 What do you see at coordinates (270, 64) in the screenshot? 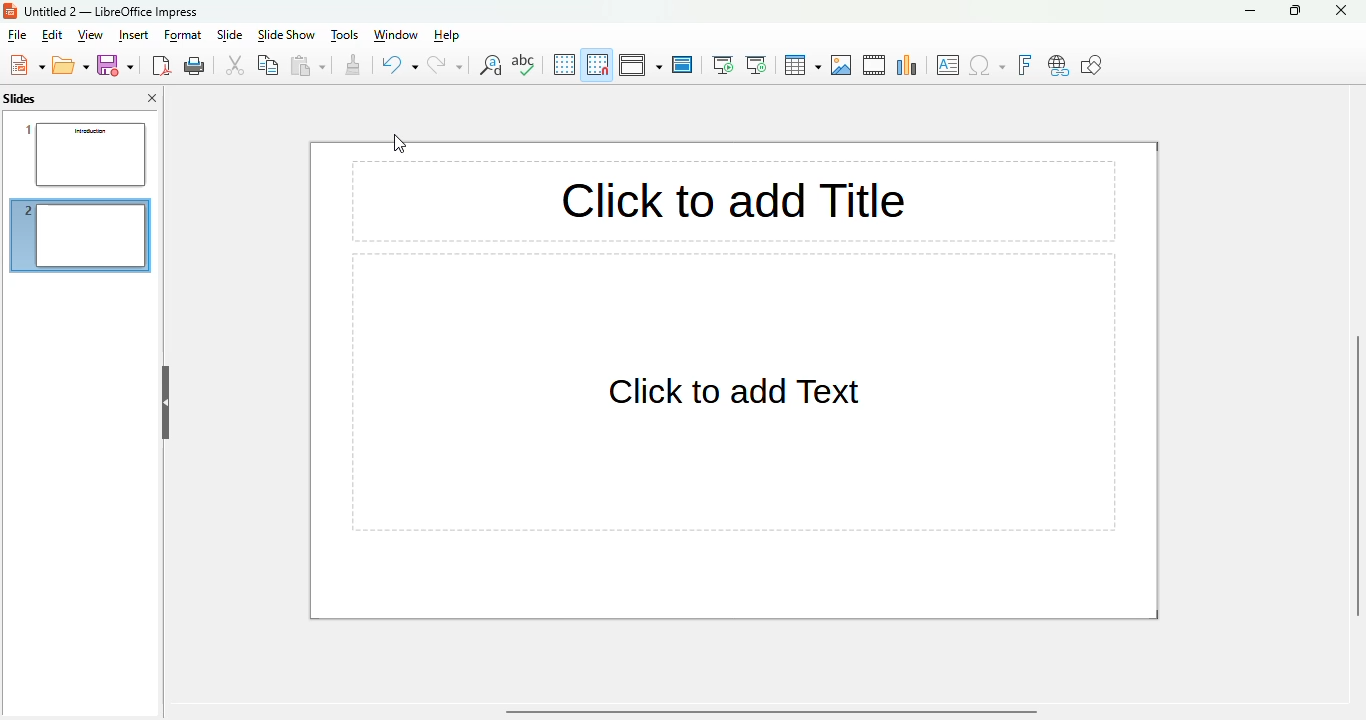
I see `copy` at bounding box center [270, 64].